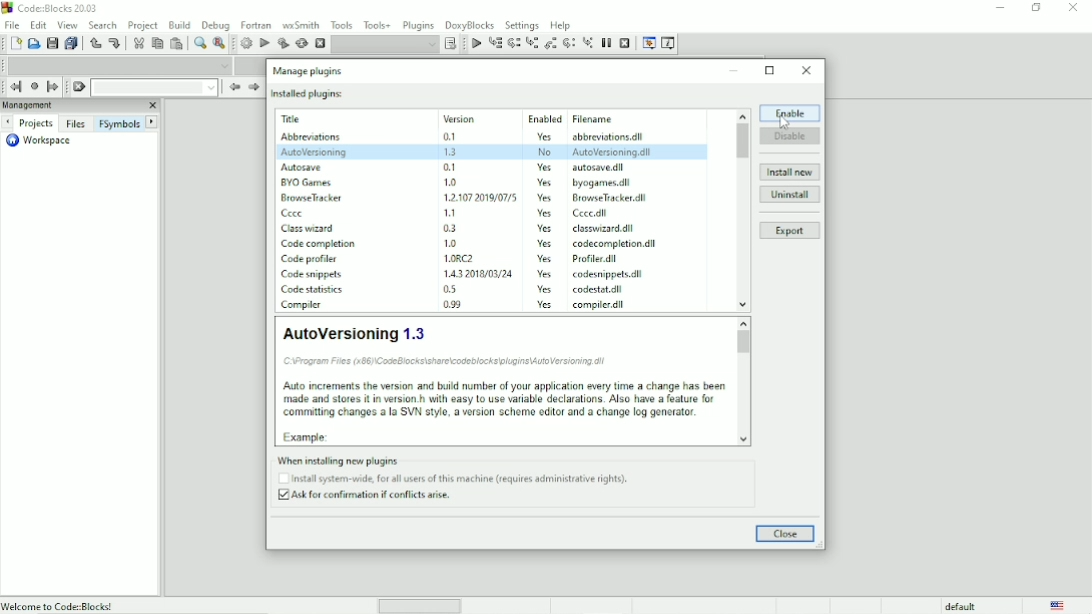  Describe the element at coordinates (309, 274) in the screenshot. I see `plugin ` at that location.